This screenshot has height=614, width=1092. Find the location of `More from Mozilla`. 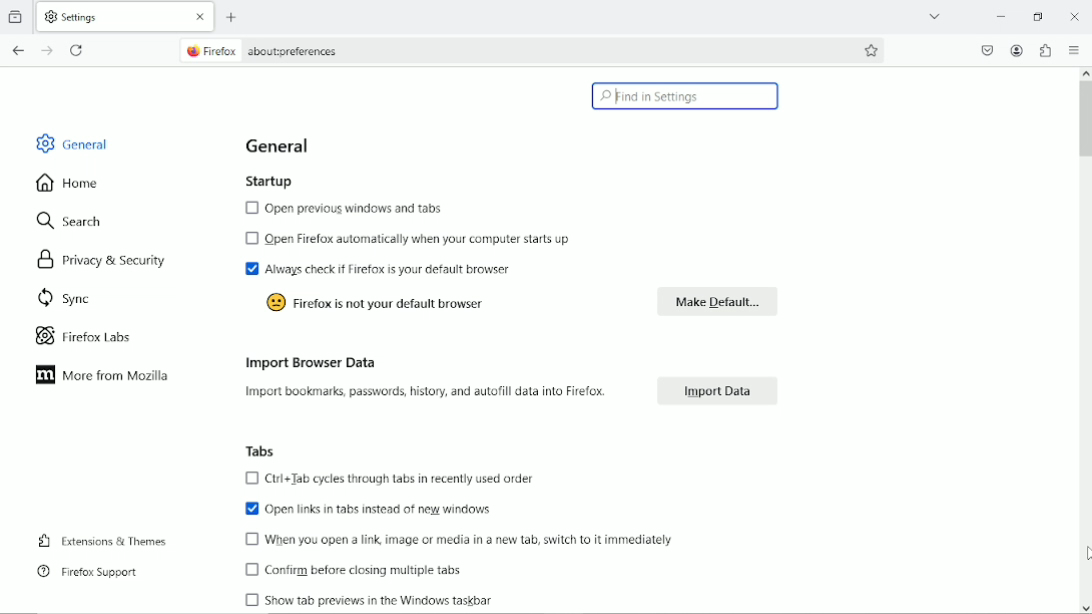

More from Mozilla is located at coordinates (100, 376).